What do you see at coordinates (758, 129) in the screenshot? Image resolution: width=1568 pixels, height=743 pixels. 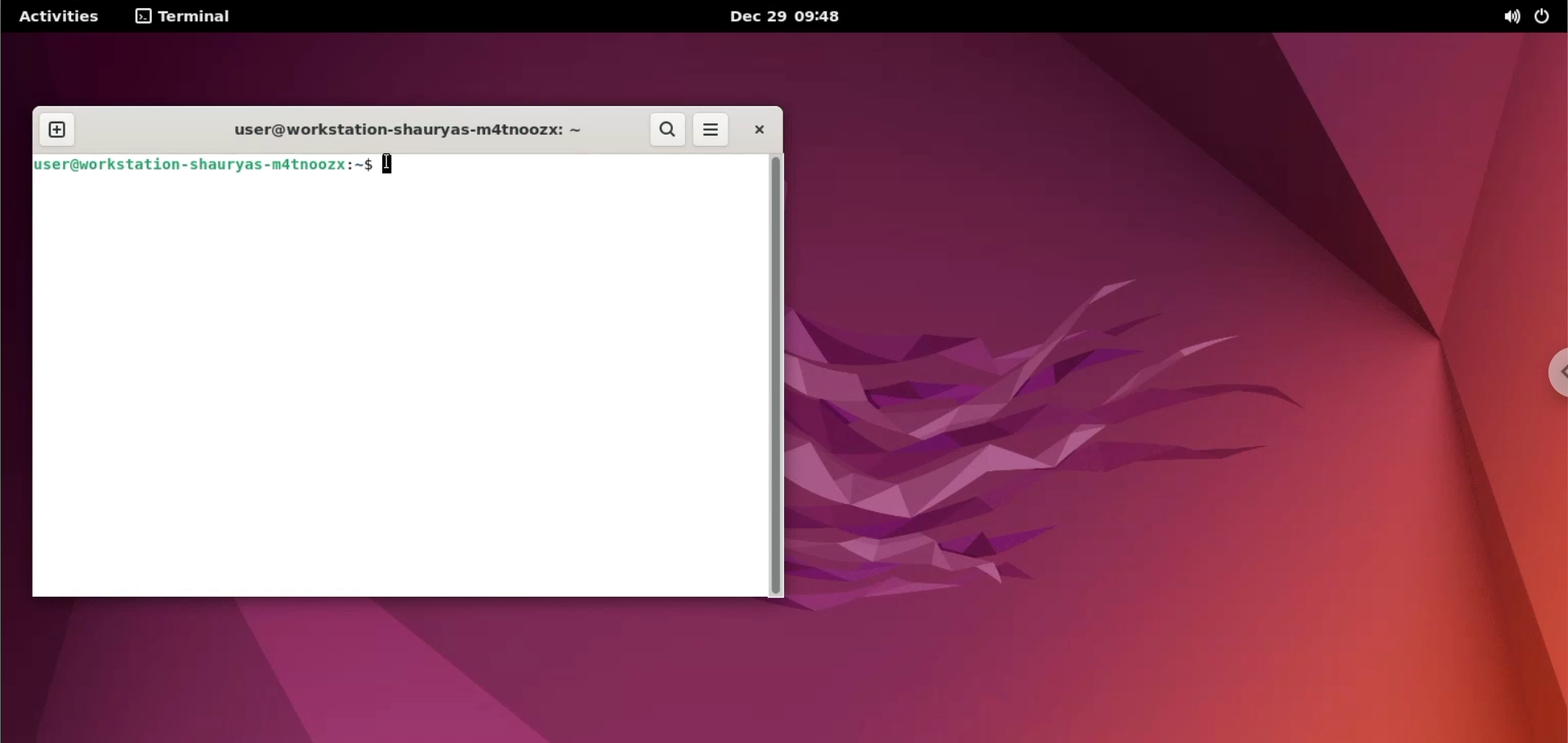 I see `close` at bounding box center [758, 129].